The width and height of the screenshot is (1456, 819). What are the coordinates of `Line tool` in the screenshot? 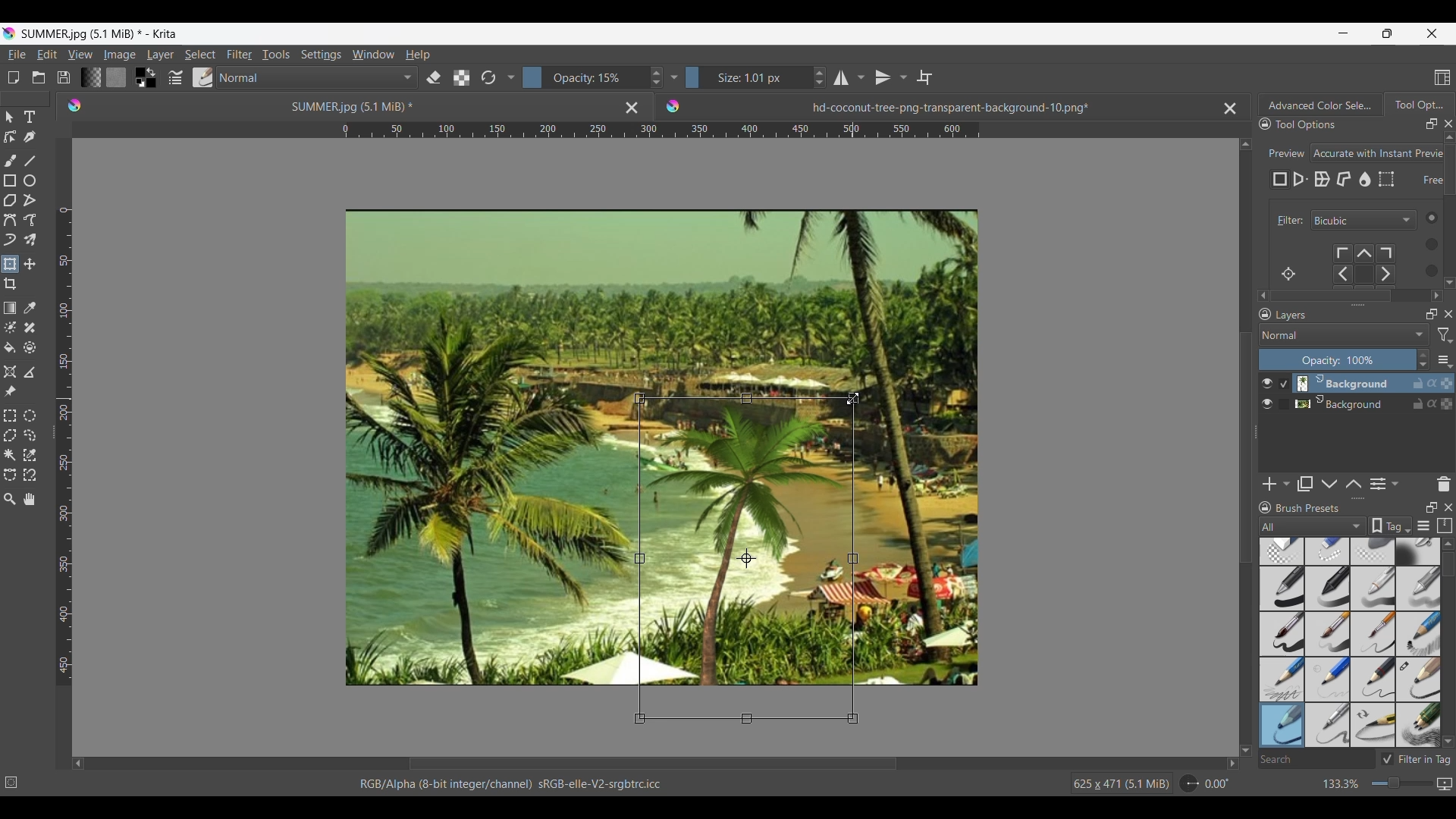 It's located at (29, 161).